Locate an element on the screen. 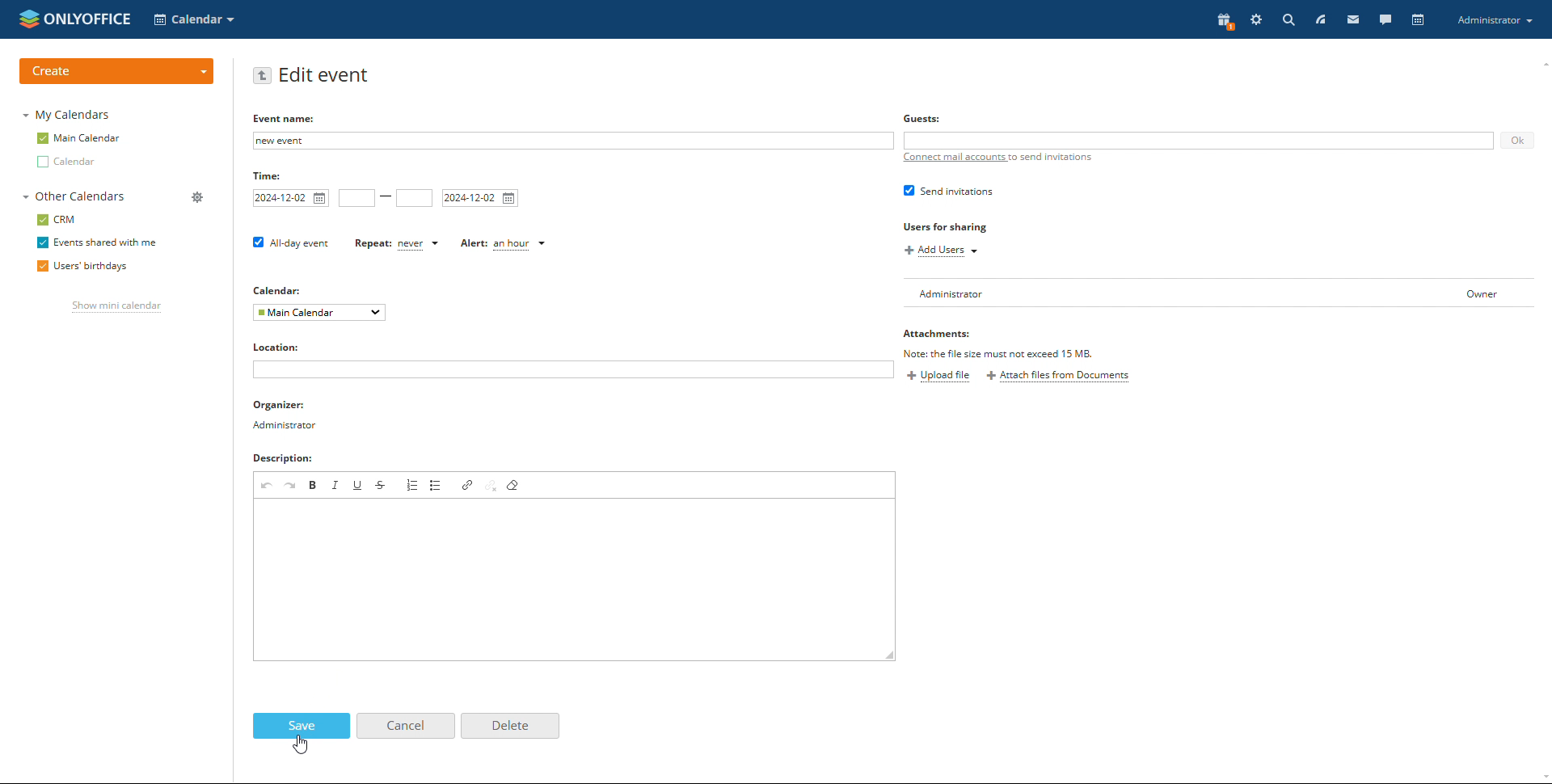  file must not exceed 15MB TEXT is located at coordinates (1002, 356).